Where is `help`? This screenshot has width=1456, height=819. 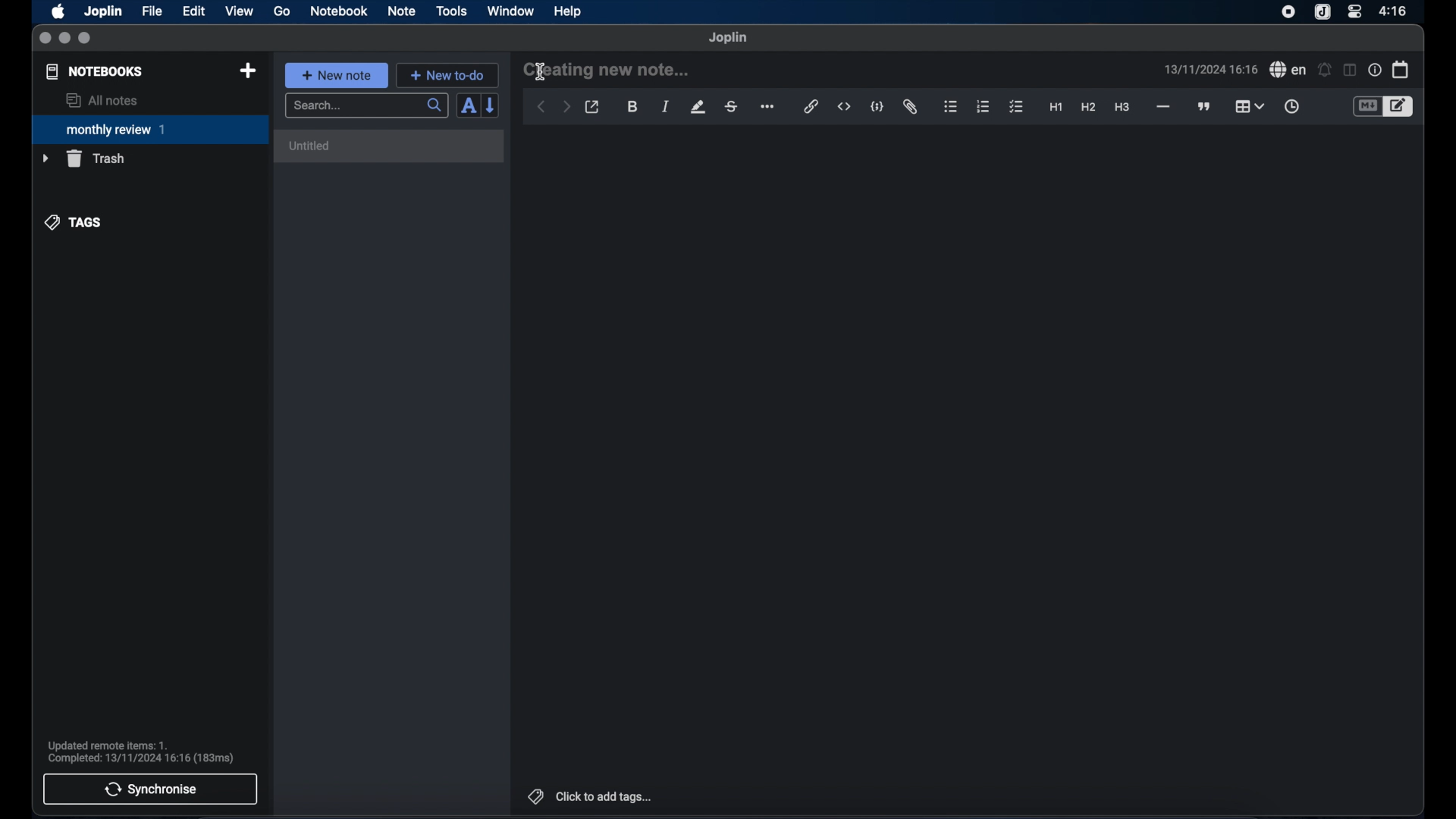
help is located at coordinates (569, 11).